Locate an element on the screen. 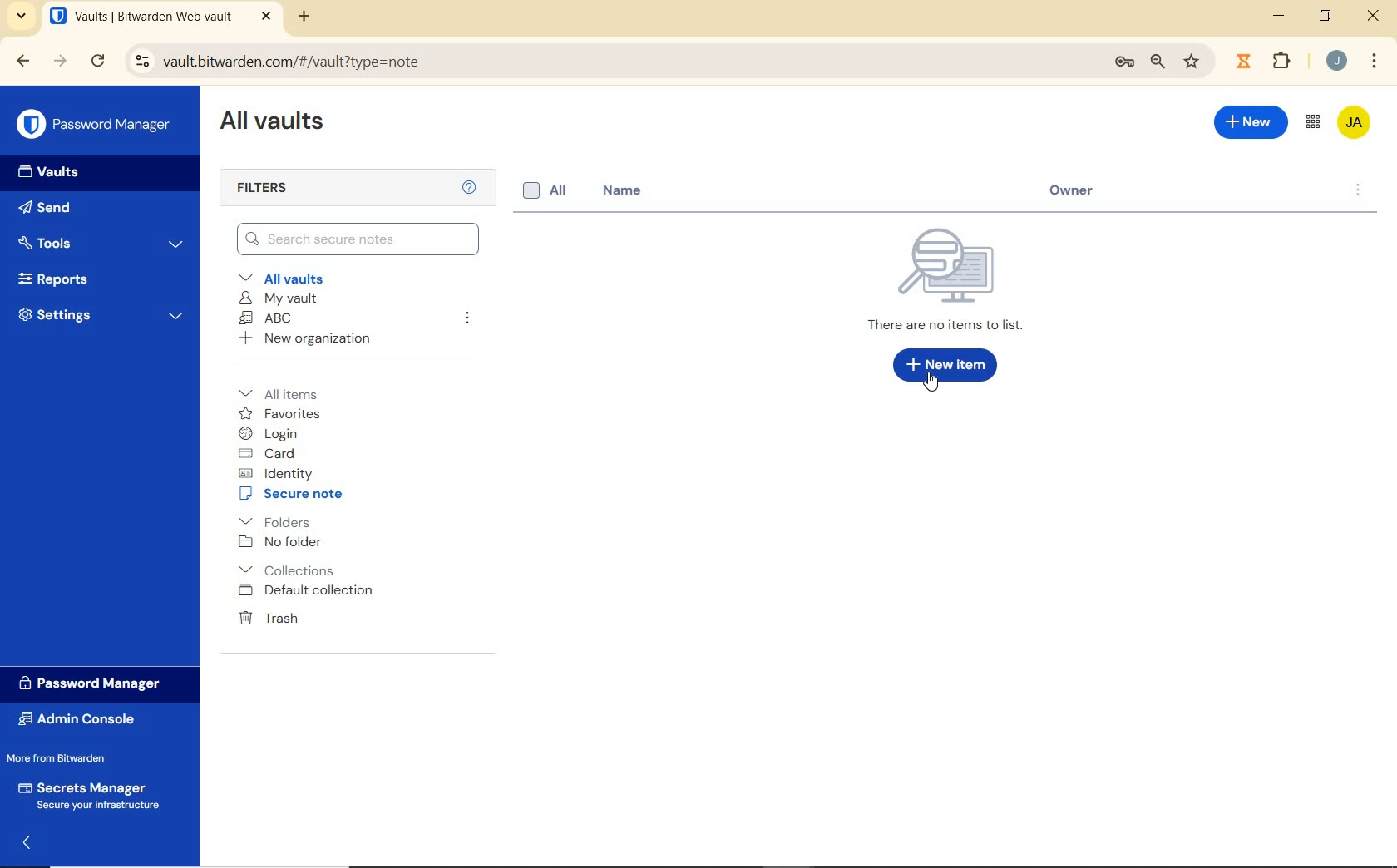 This screenshot has width=1397, height=868. Icon is located at coordinates (957, 263).